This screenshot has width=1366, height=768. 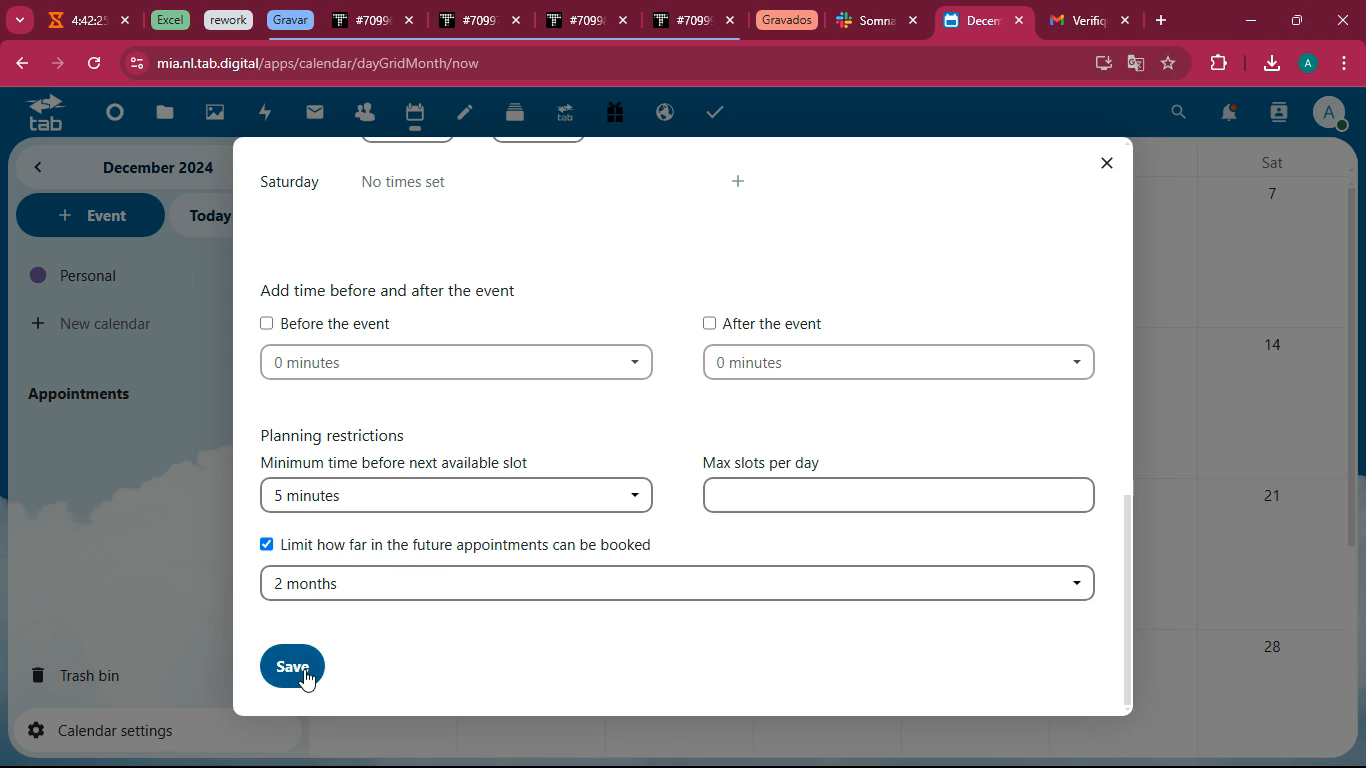 What do you see at coordinates (94, 324) in the screenshot?
I see `new calendar` at bounding box center [94, 324].